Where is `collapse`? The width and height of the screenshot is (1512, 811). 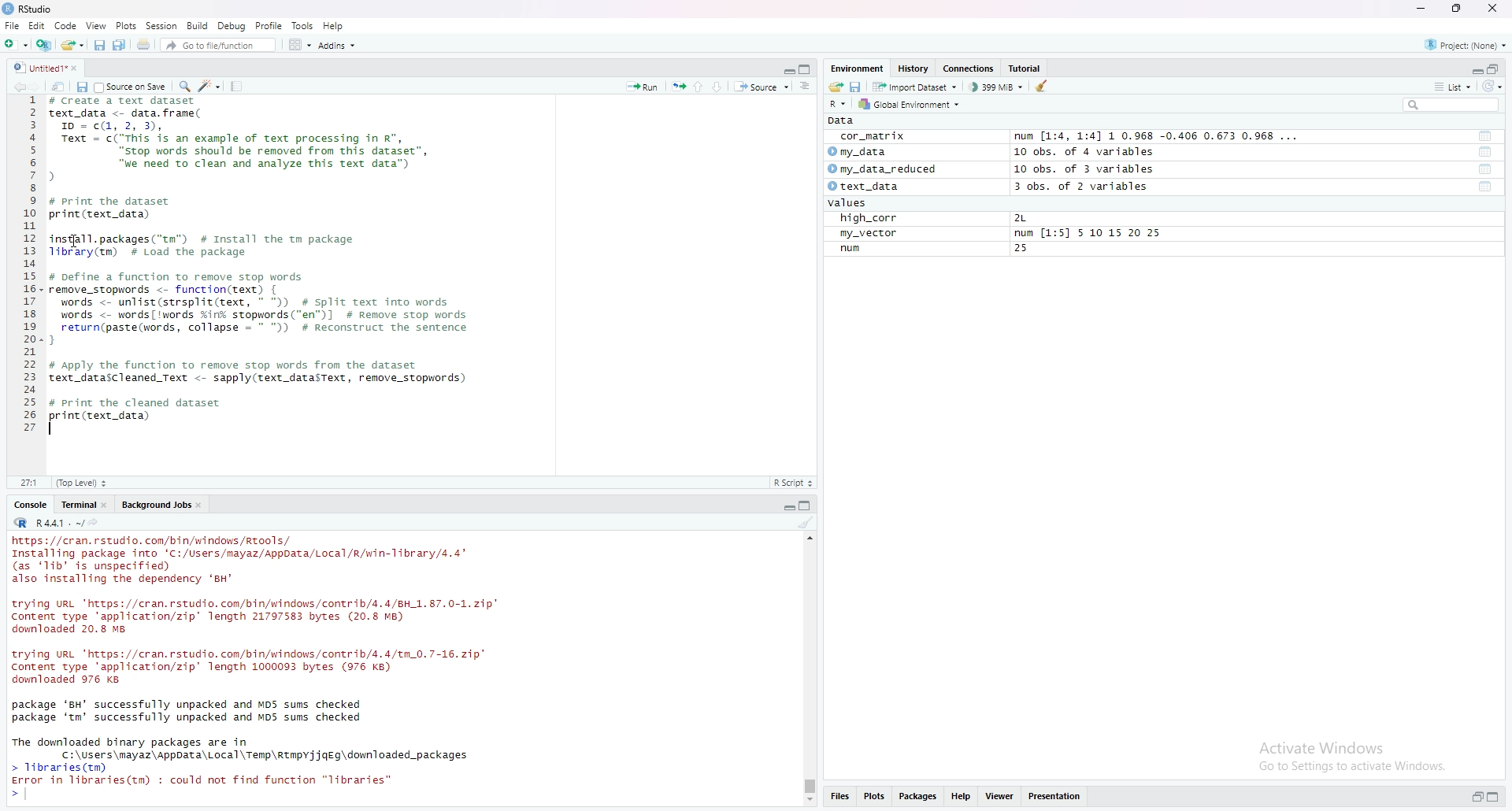
collapse is located at coordinates (807, 505).